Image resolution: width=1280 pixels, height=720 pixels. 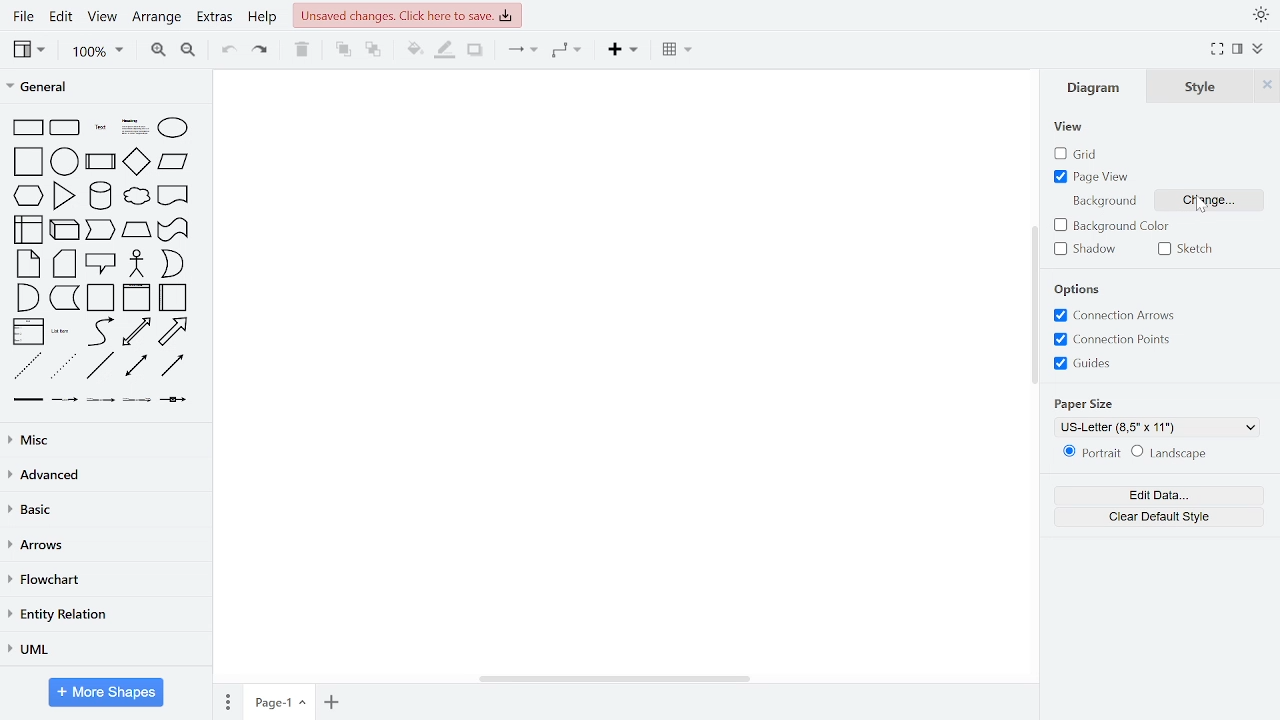 I want to click on general shapes, so click(x=29, y=296).